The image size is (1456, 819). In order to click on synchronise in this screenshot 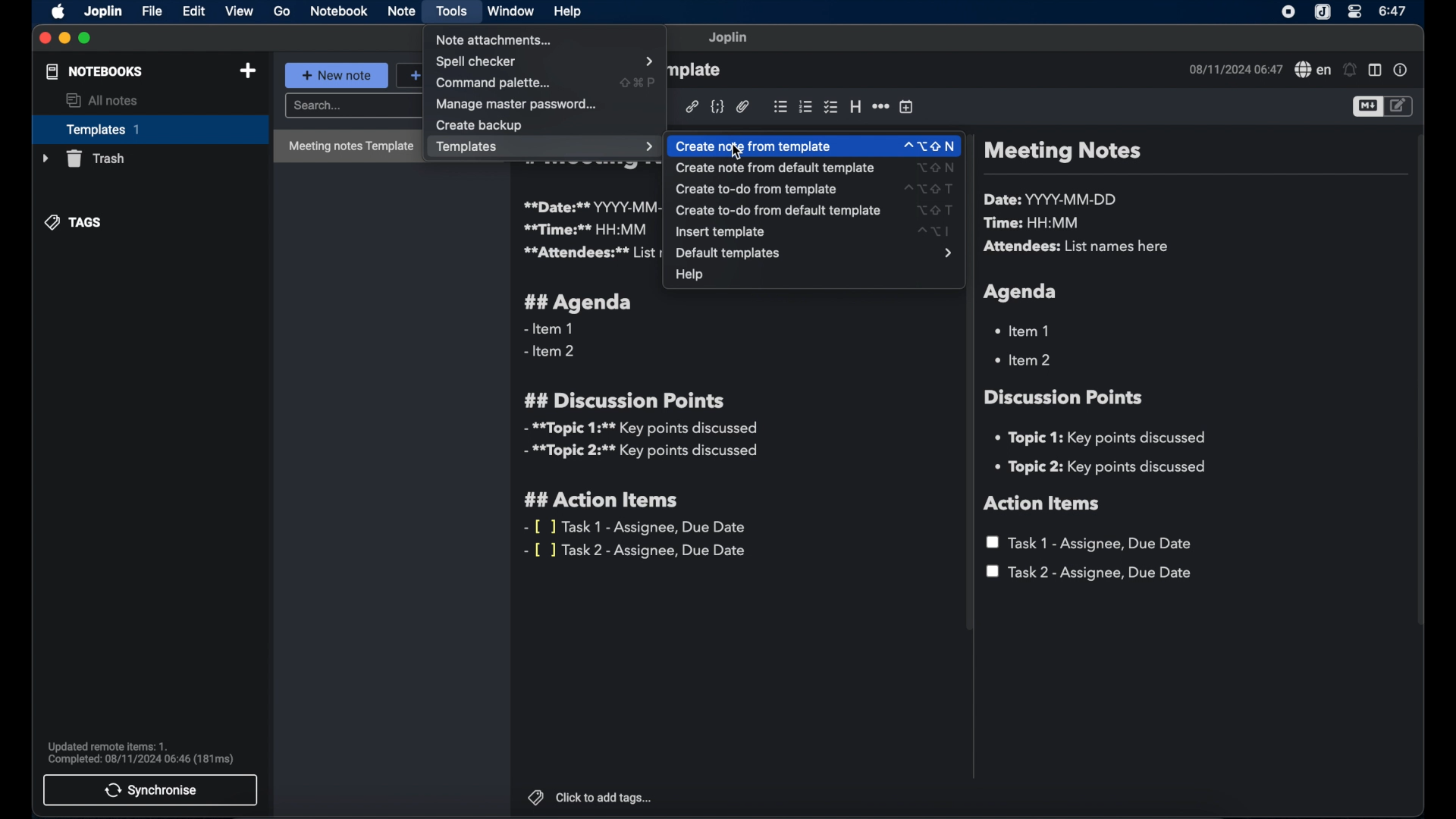, I will do `click(152, 790)`.